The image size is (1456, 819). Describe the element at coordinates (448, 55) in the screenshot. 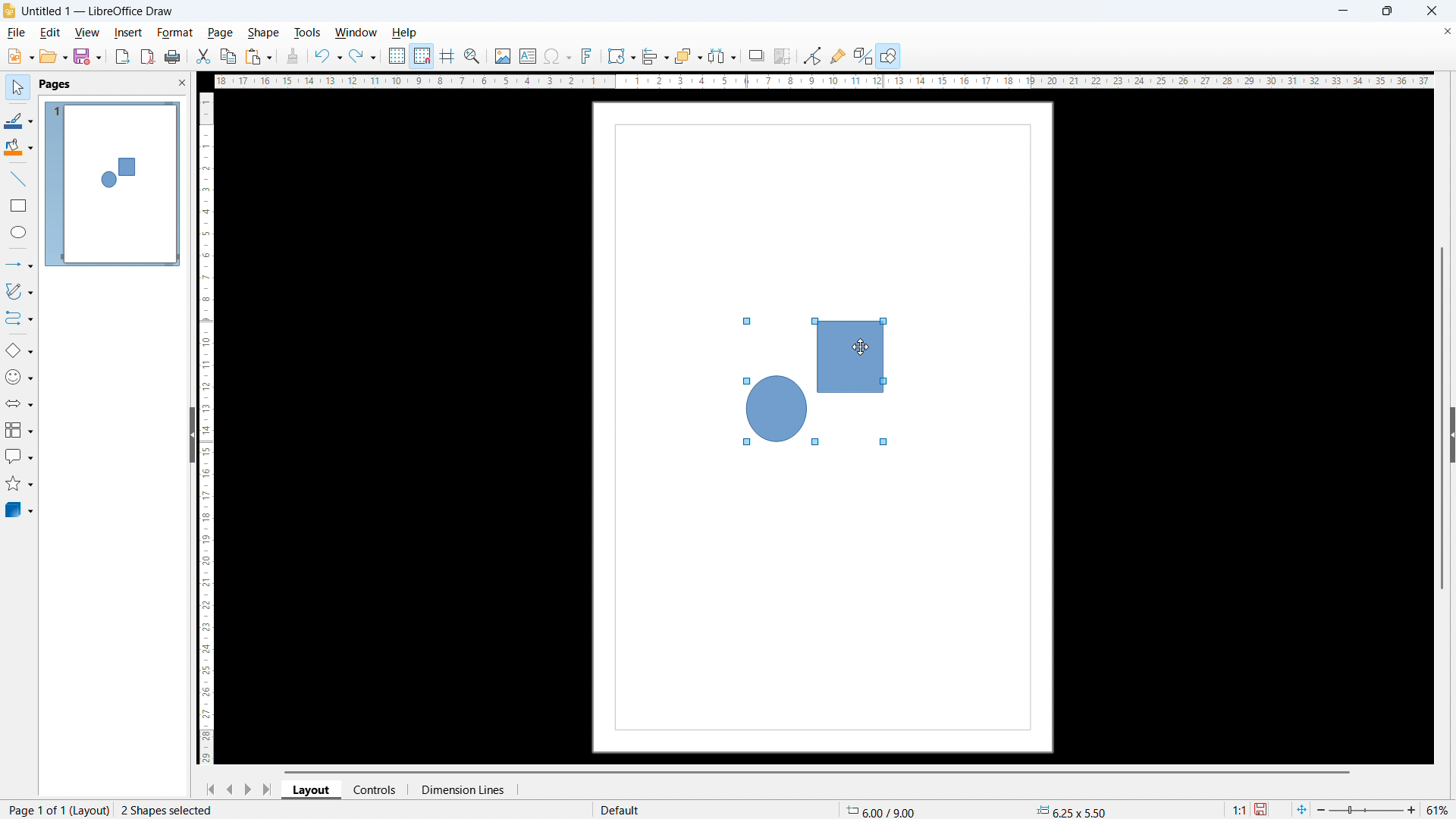

I see `guidelines while moving` at that location.